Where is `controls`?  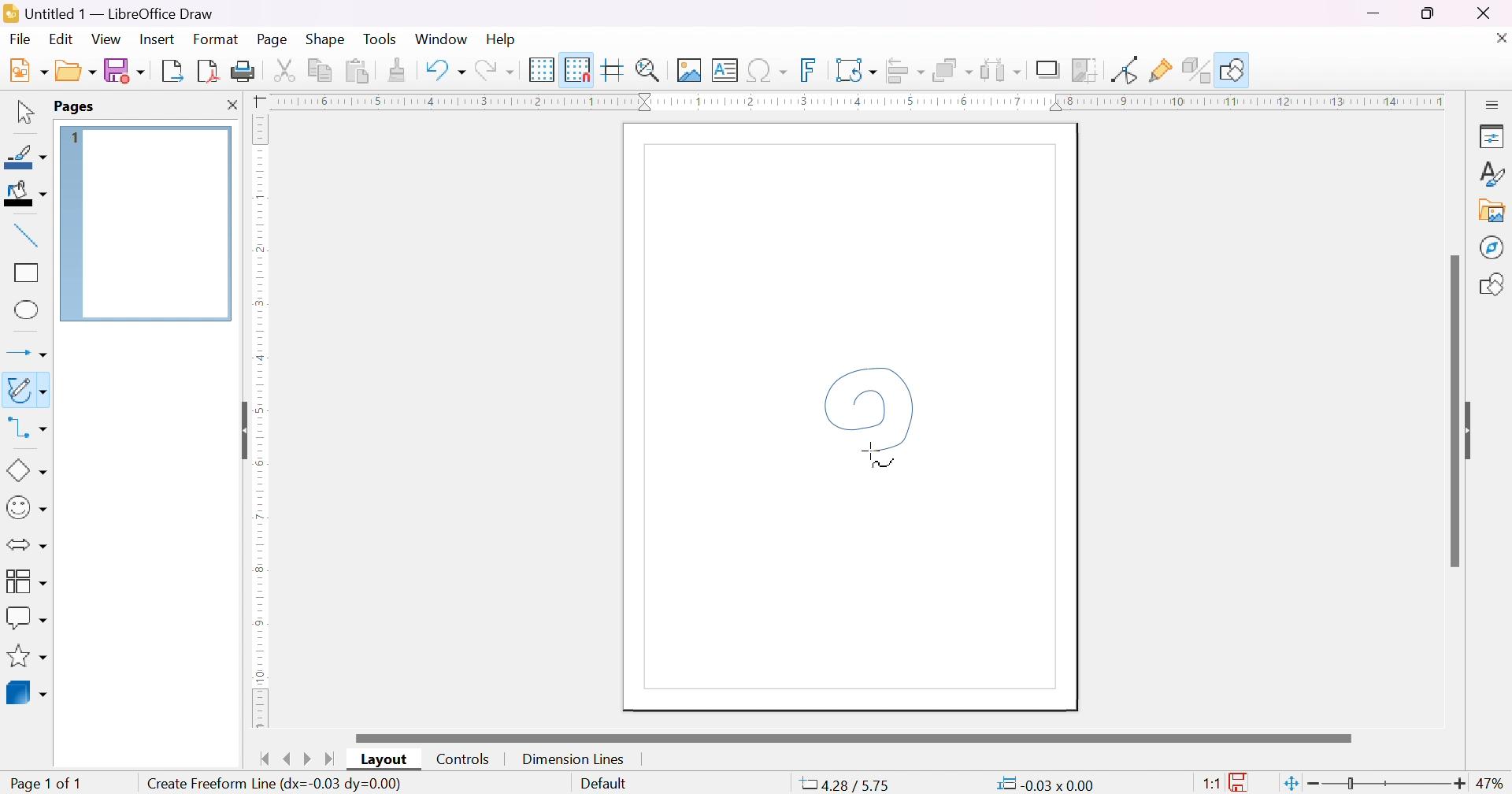 controls is located at coordinates (465, 759).